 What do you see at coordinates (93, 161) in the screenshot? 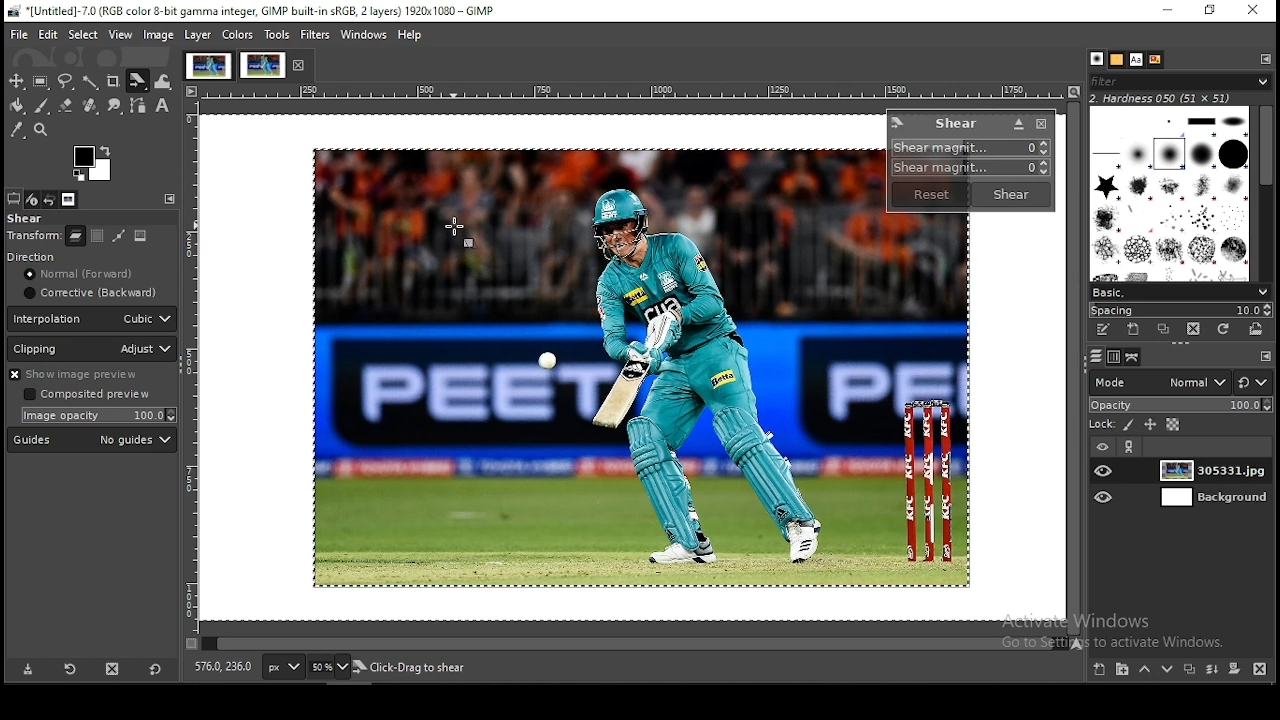
I see `colors` at bounding box center [93, 161].